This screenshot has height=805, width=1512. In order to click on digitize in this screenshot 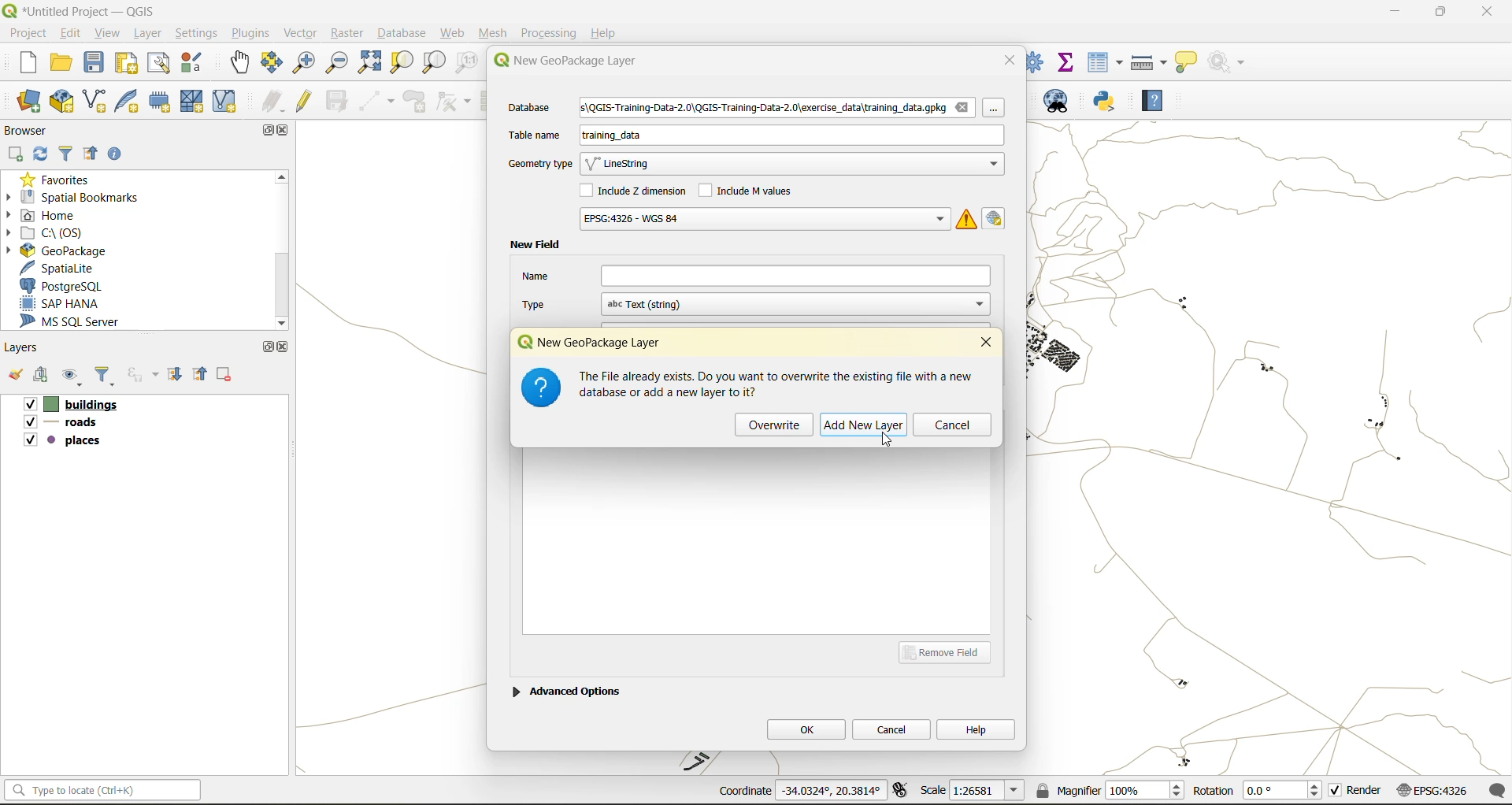, I will do `click(378, 102)`.